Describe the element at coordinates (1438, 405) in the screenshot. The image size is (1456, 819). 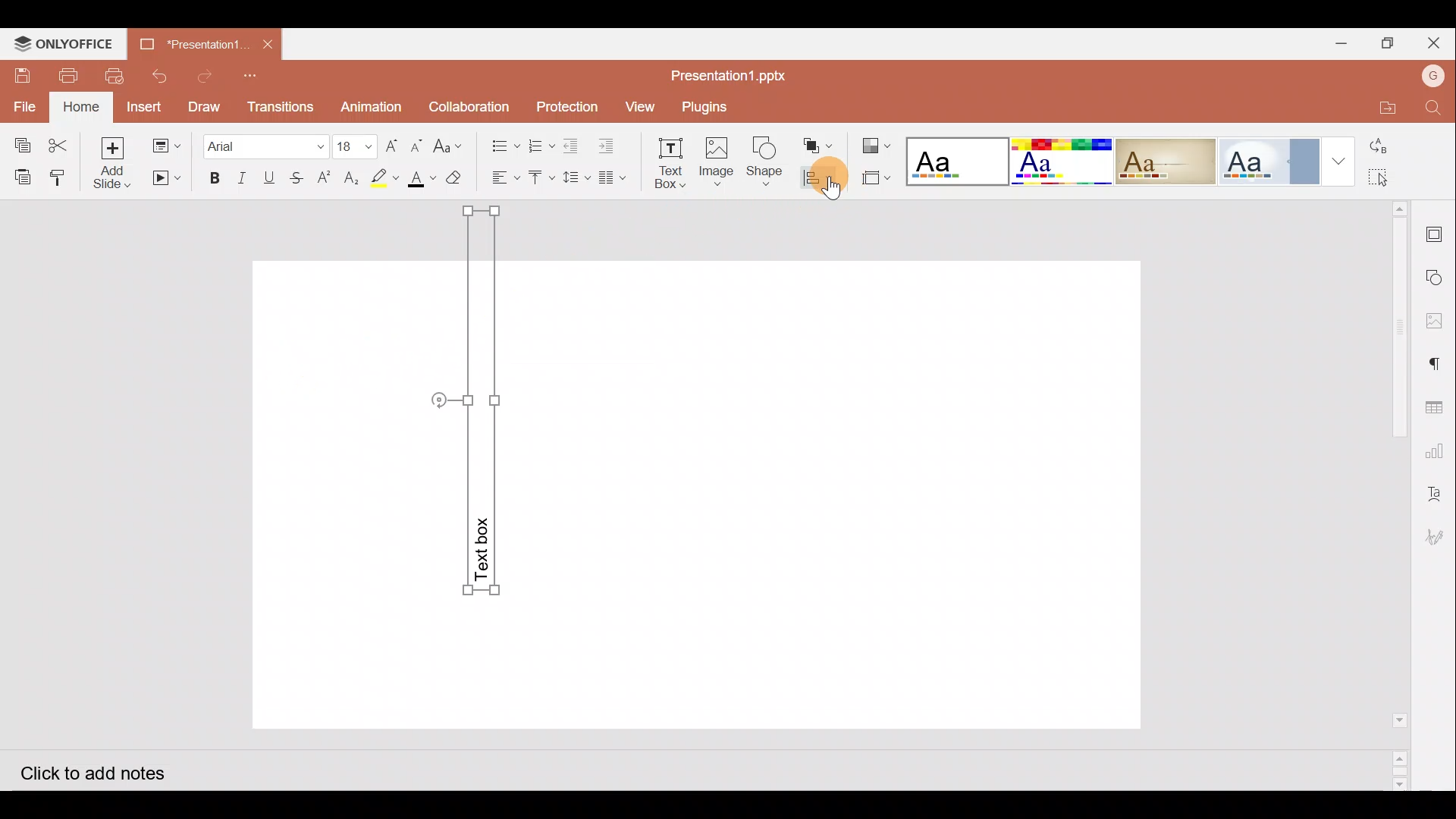
I see `Table settings` at that location.